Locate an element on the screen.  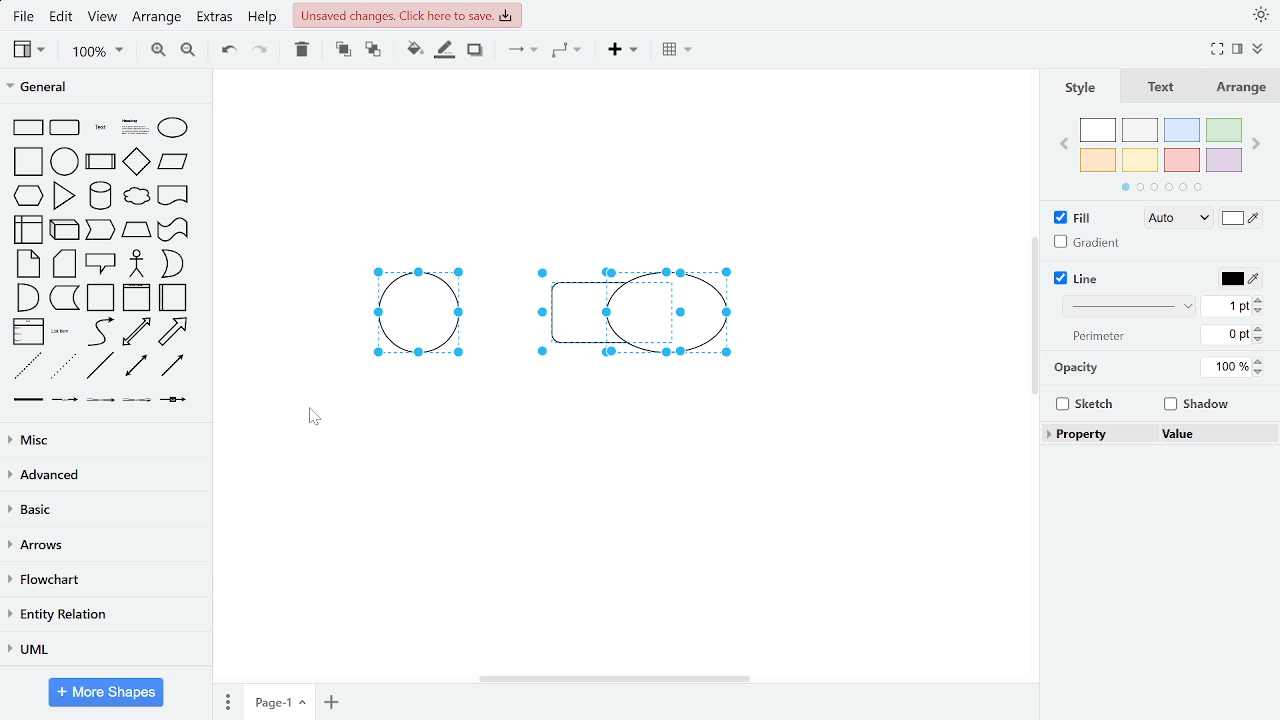
collapse is located at coordinates (1258, 49).